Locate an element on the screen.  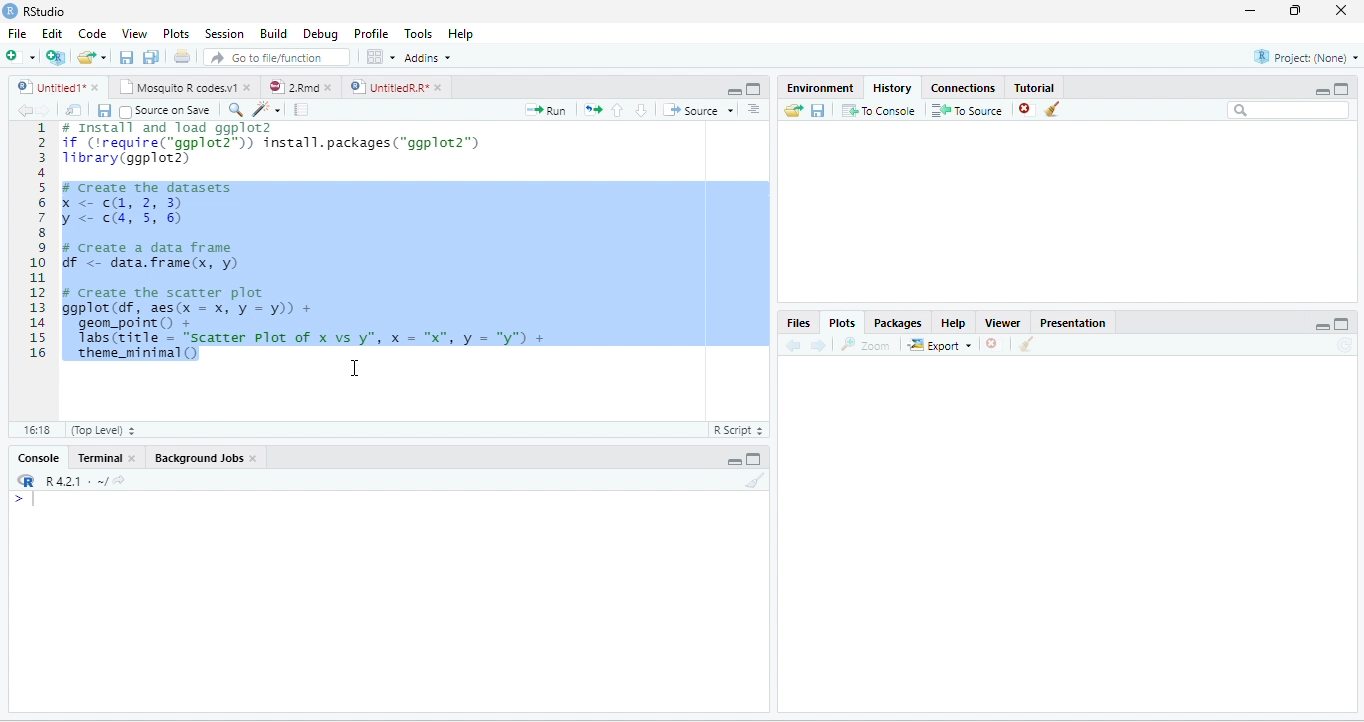
Maximize is located at coordinates (1343, 323).